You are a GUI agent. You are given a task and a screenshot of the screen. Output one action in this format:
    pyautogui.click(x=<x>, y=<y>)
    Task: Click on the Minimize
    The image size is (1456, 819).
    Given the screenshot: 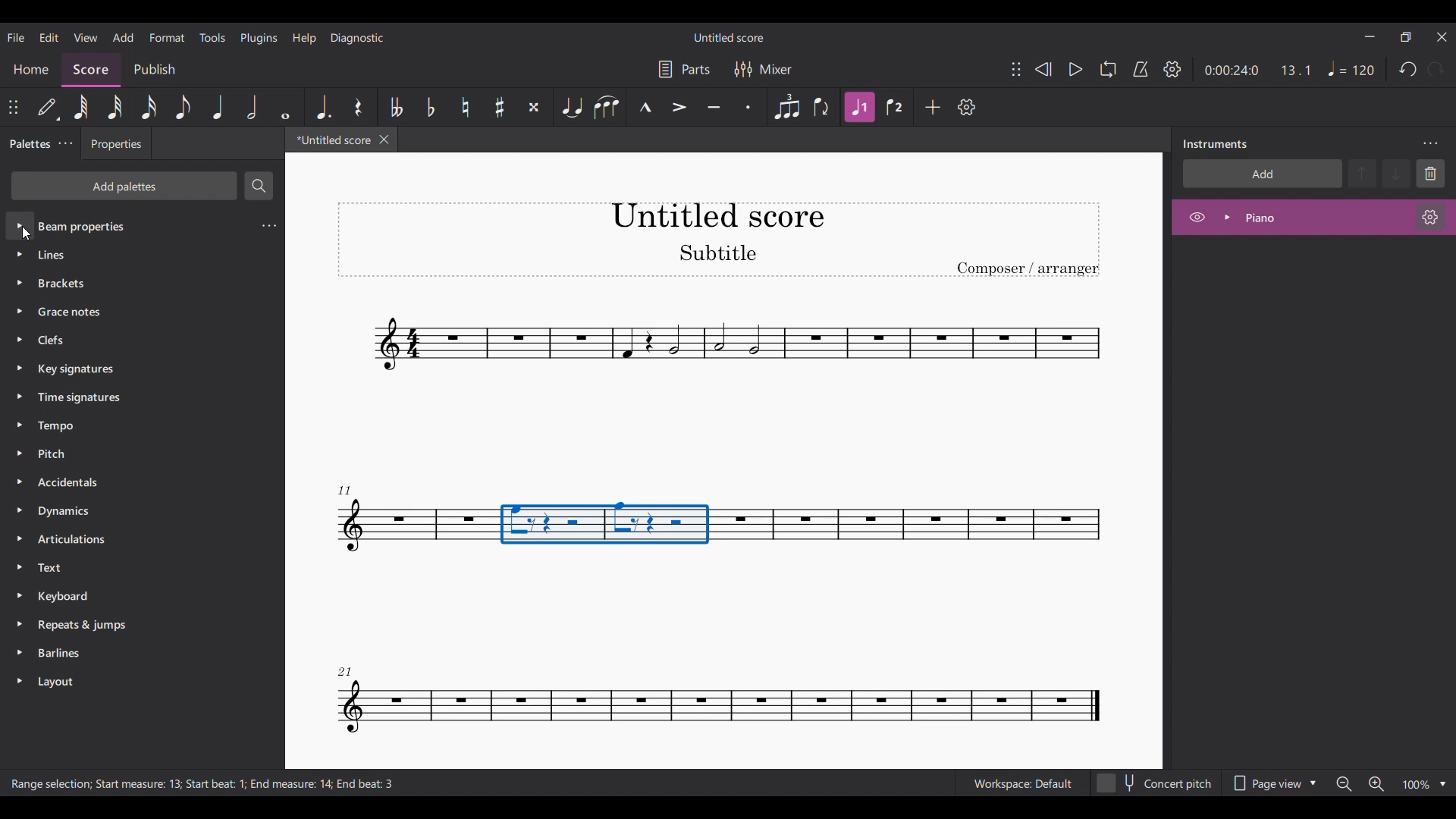 What is the action you would take?
    pyautogui.click(x=1370, y=36)
    